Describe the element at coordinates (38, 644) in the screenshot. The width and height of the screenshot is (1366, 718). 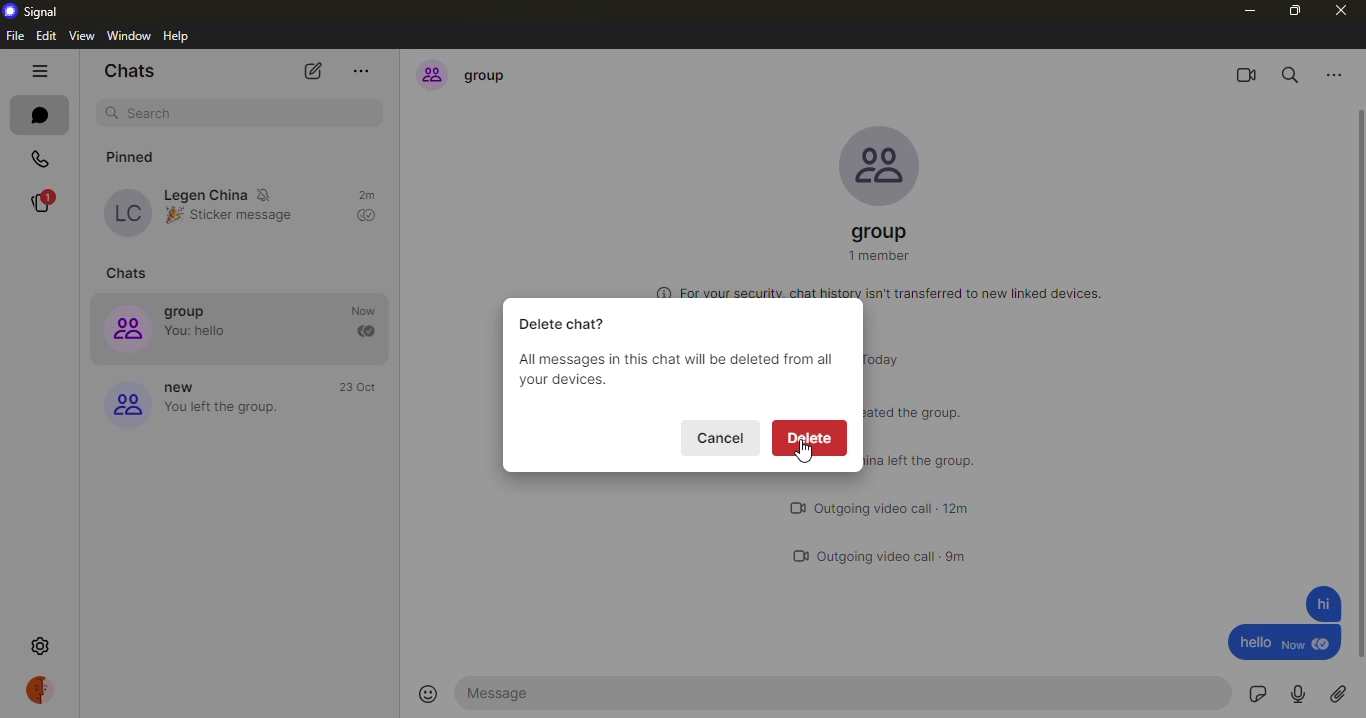
I see `settings` at that location.